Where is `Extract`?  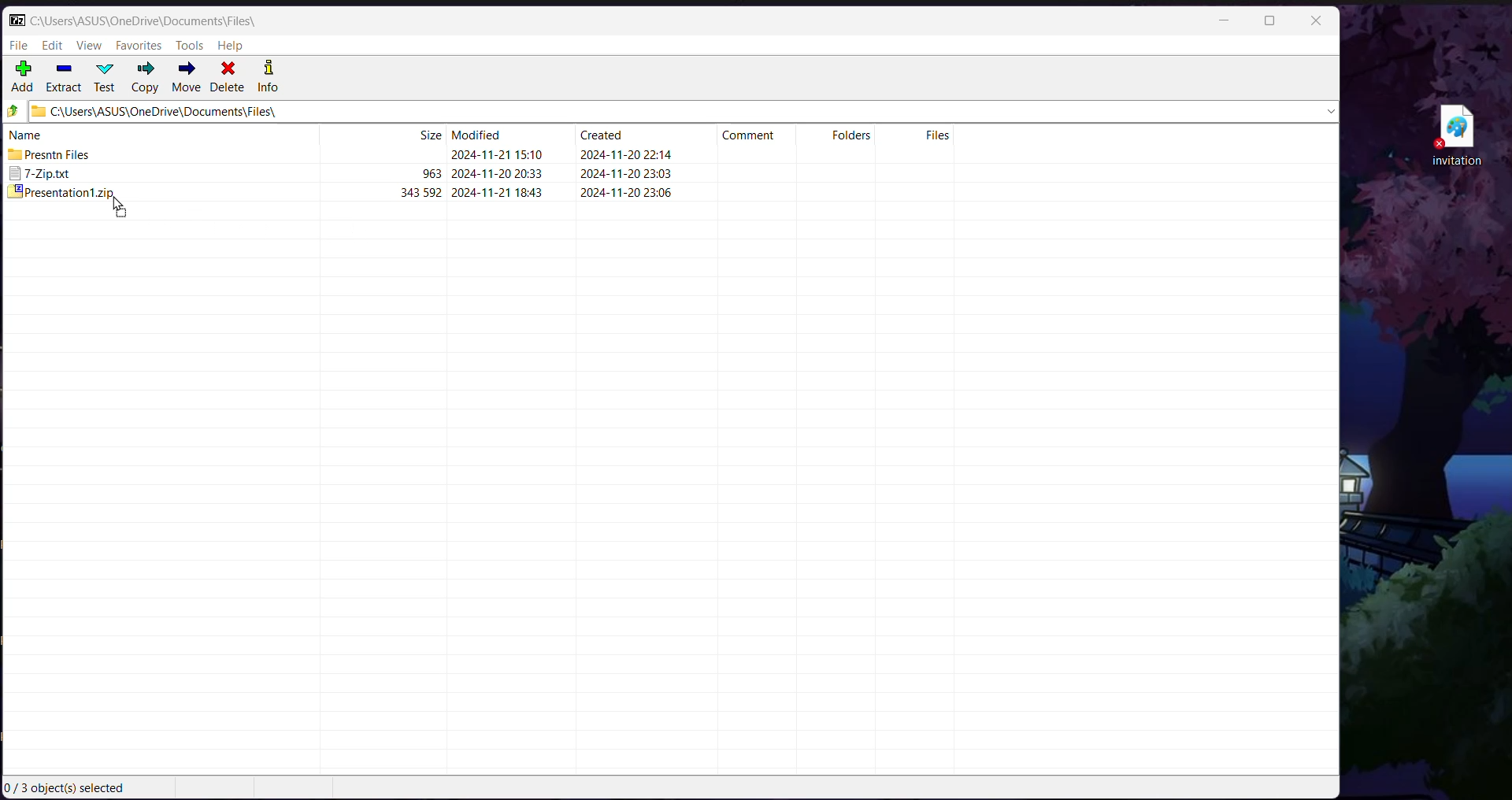
Extract is located at coordinates (64, 78).